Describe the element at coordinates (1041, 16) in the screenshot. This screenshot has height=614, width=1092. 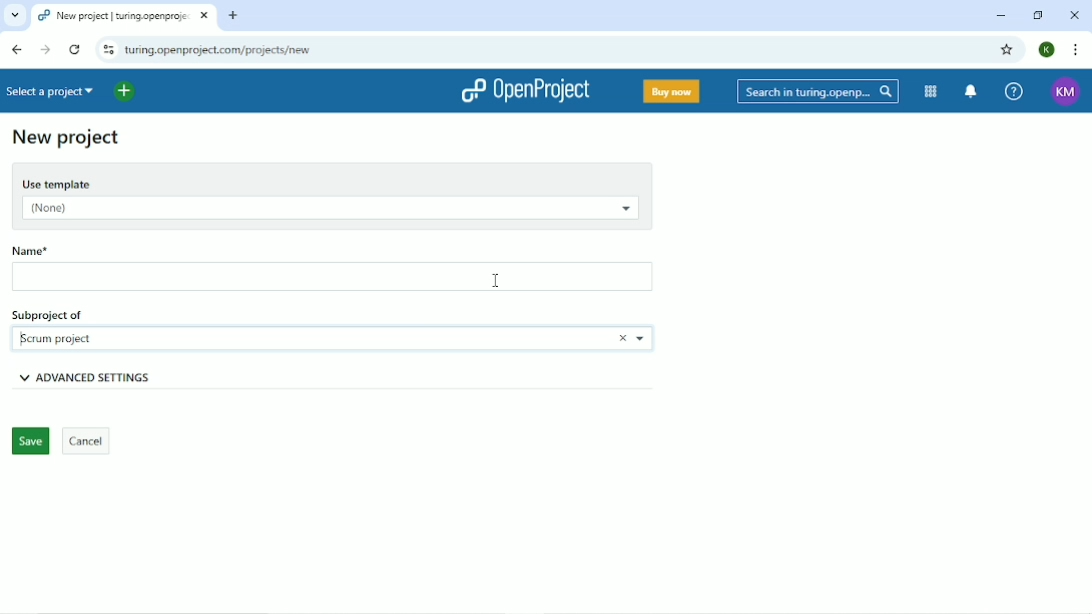
I see `Restore down` at that location.